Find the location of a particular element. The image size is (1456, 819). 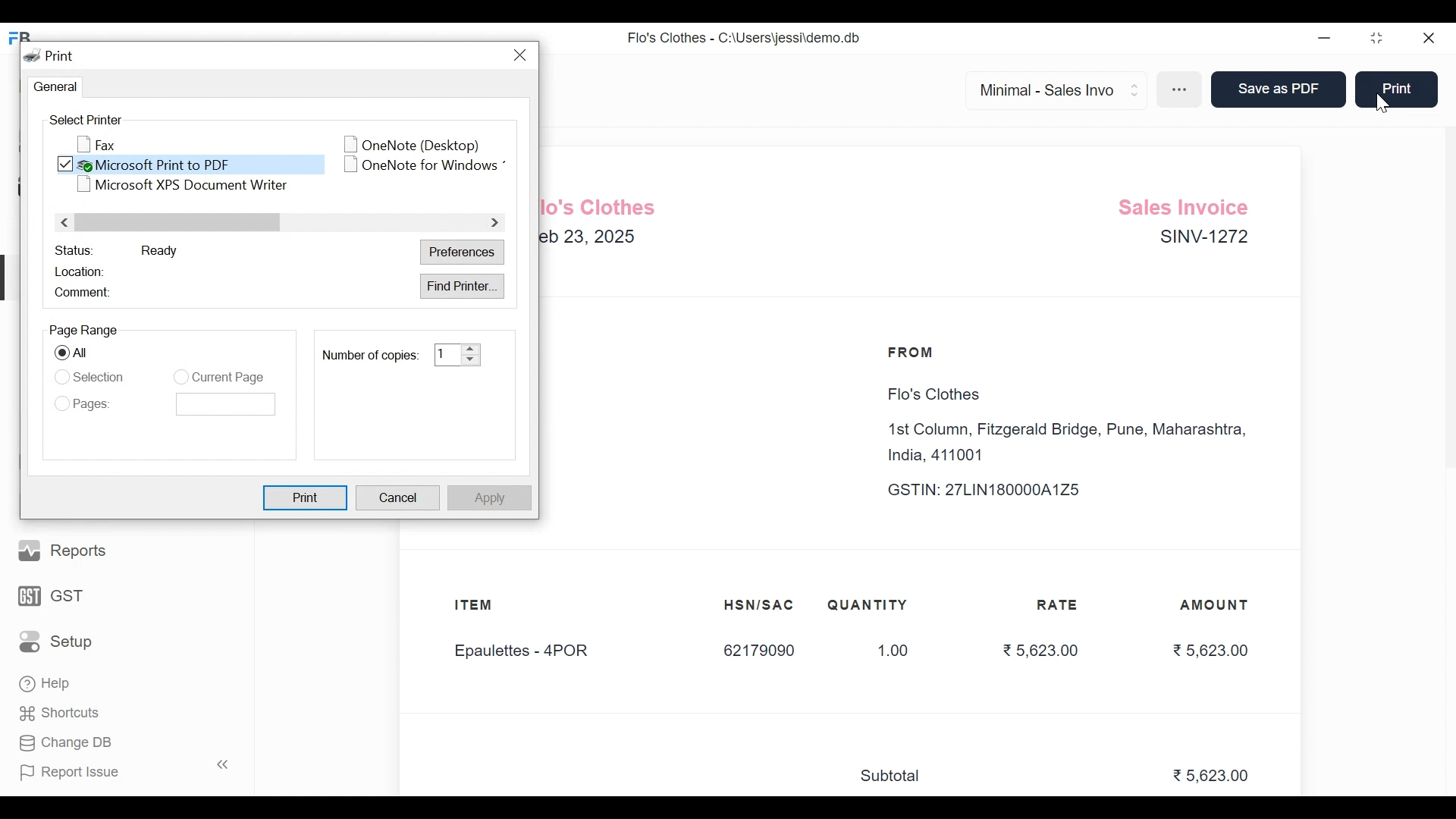

All is located at coordinates (87, 354).